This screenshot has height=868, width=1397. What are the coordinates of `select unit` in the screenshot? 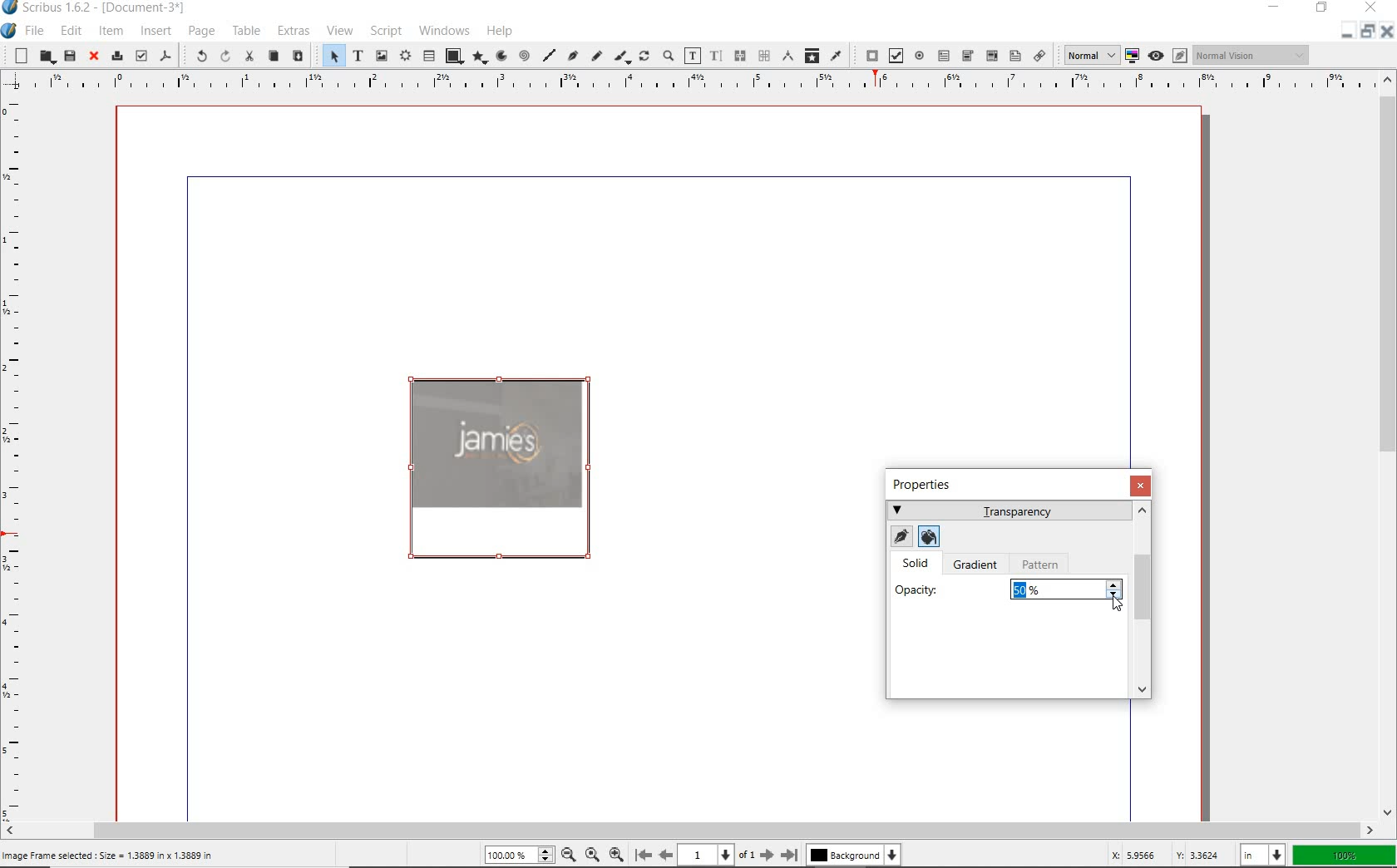 It's located at (1261, 855).